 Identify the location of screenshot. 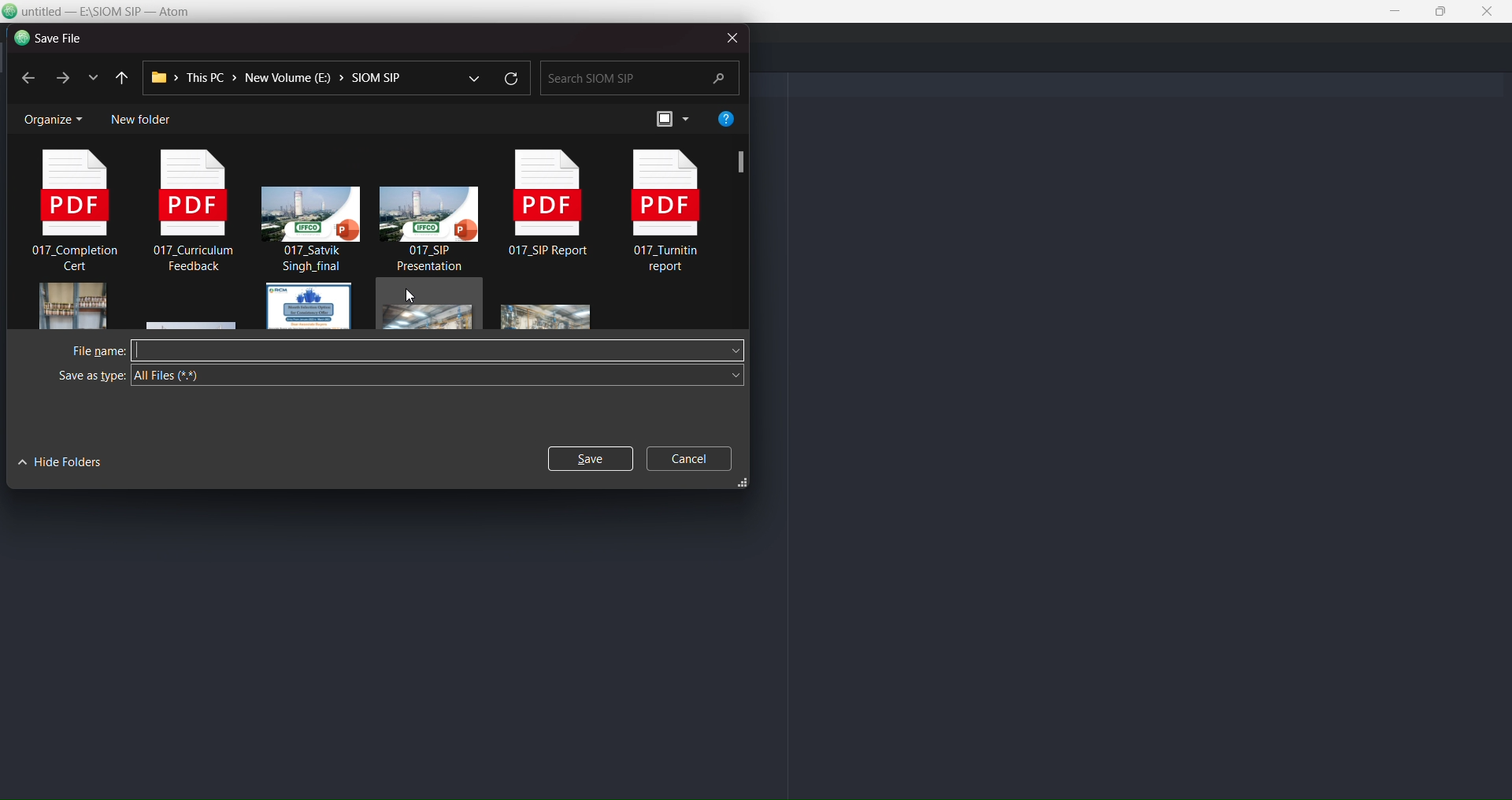
(740, 158).